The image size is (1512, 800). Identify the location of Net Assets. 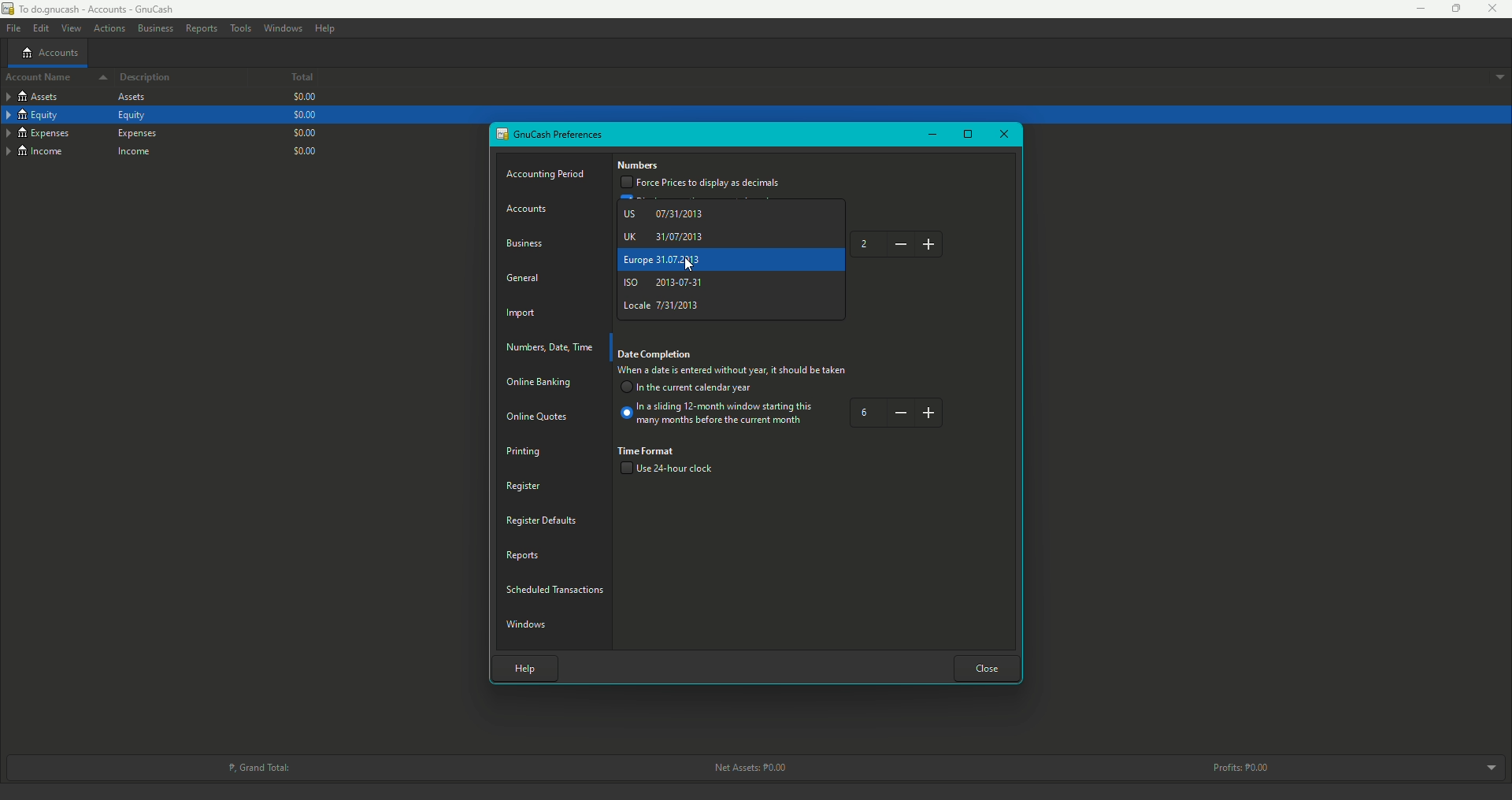
(747, 768).